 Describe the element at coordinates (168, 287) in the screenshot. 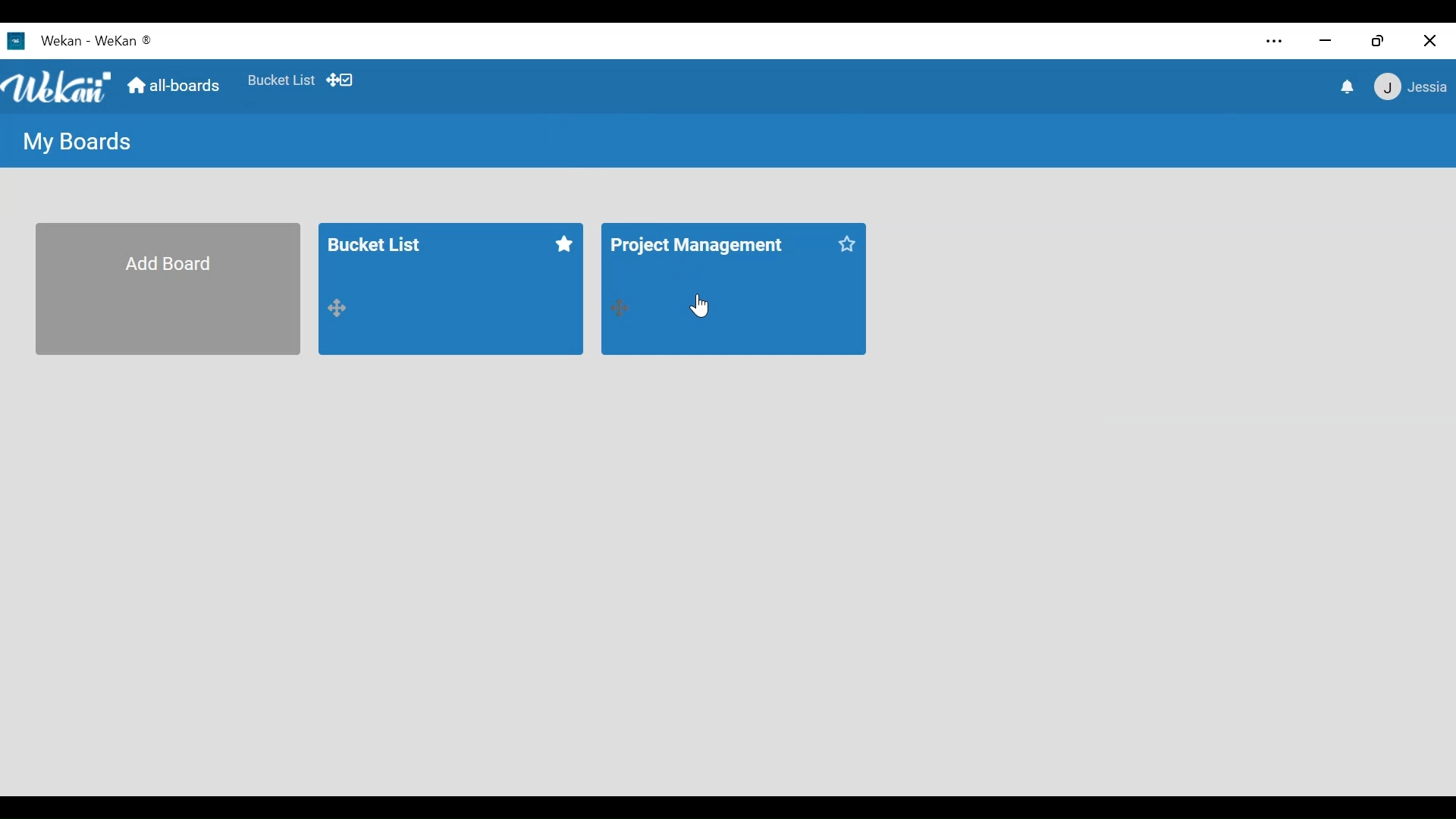

I see `Add Board` at that location.